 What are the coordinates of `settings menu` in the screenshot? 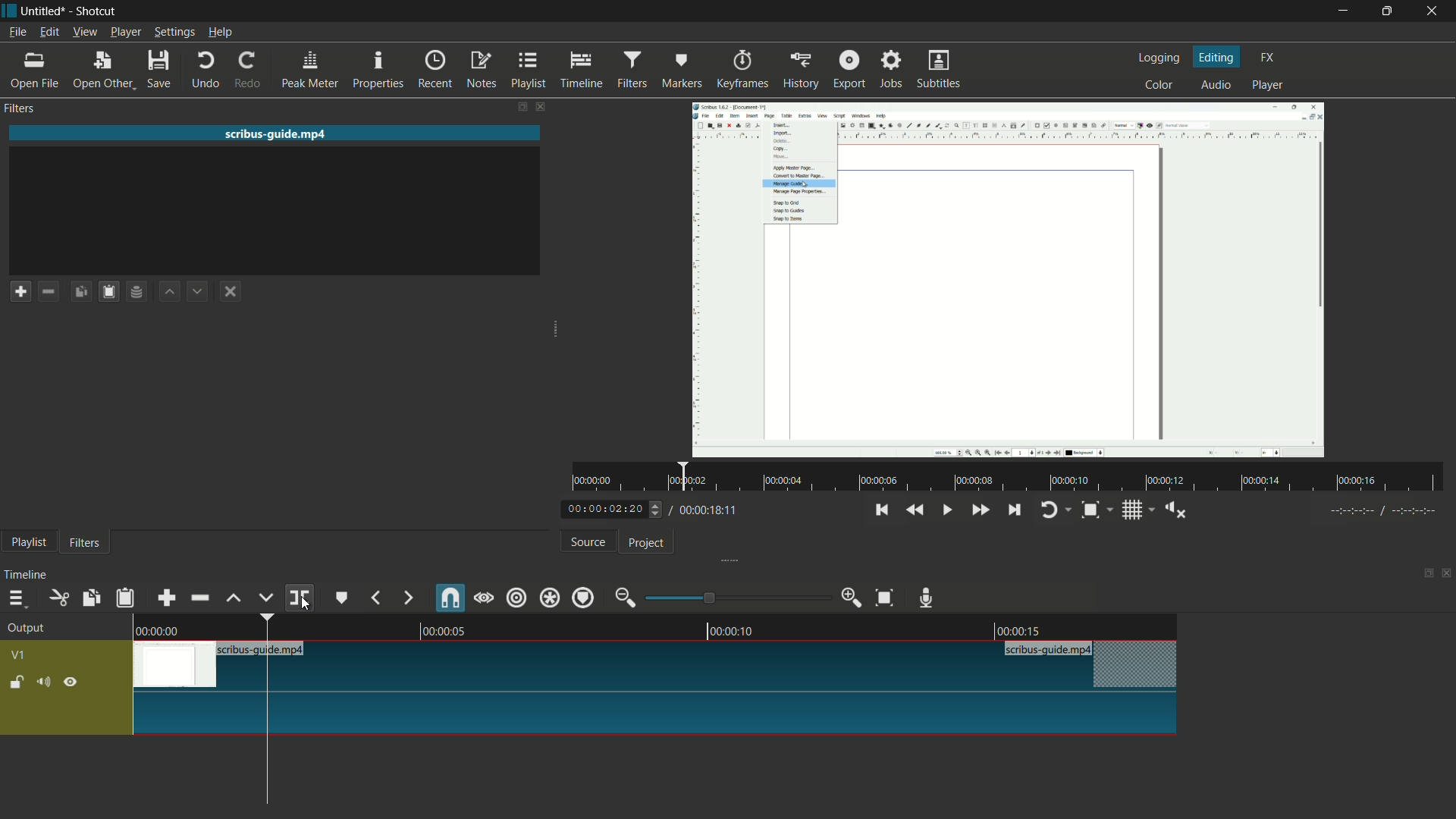 It's located at (172, 32).